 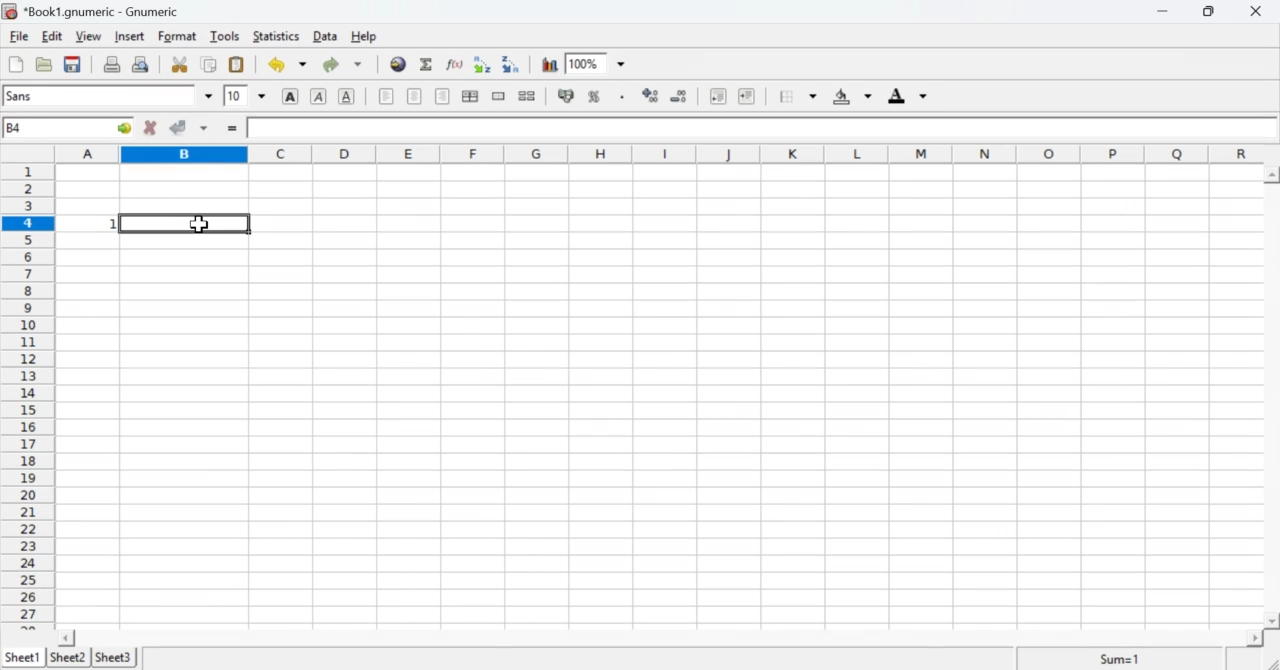 I want to click on Insert Hyperlink, so click(x=398, y=64).